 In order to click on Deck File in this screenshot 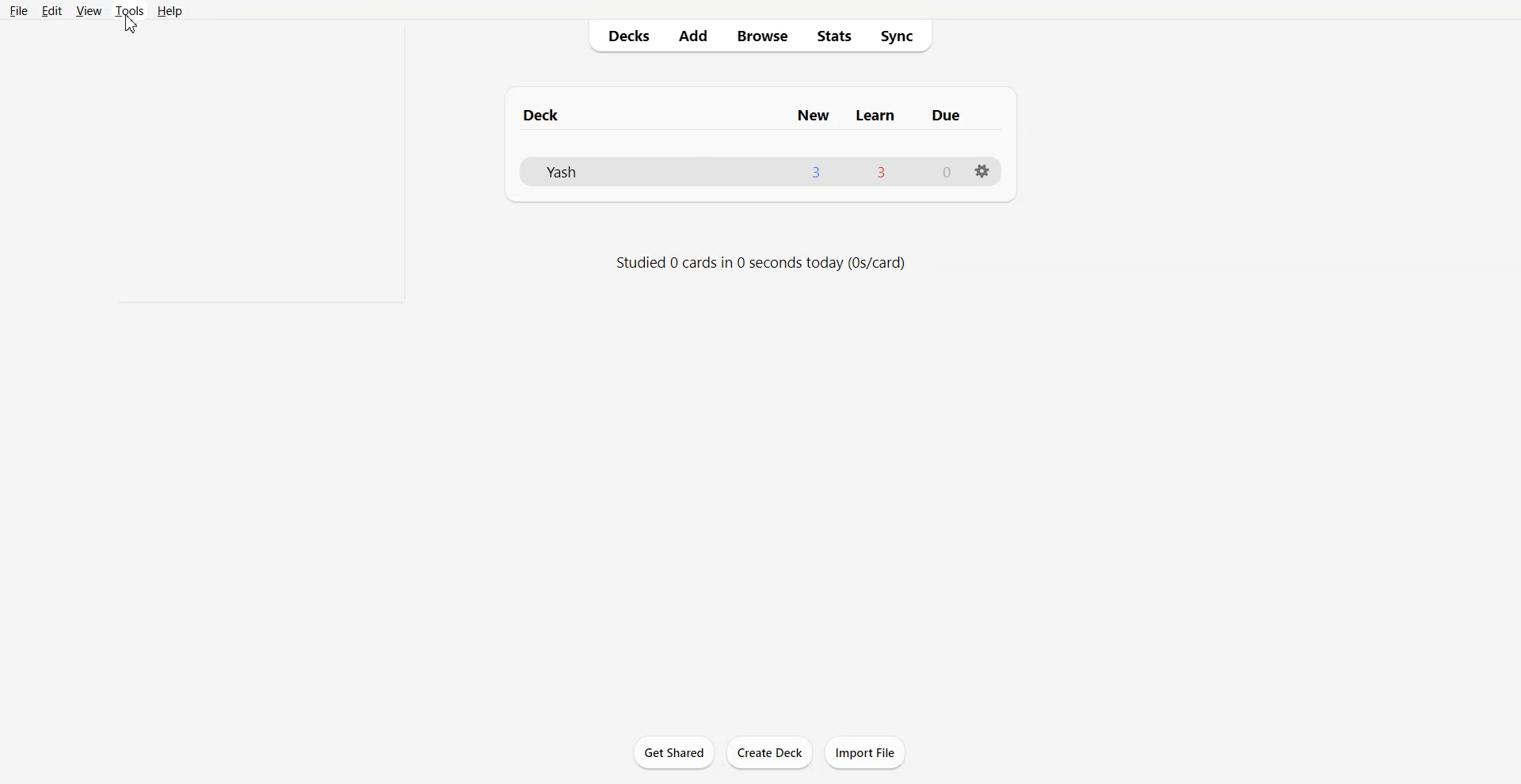, I will do `click(589, 170)`.